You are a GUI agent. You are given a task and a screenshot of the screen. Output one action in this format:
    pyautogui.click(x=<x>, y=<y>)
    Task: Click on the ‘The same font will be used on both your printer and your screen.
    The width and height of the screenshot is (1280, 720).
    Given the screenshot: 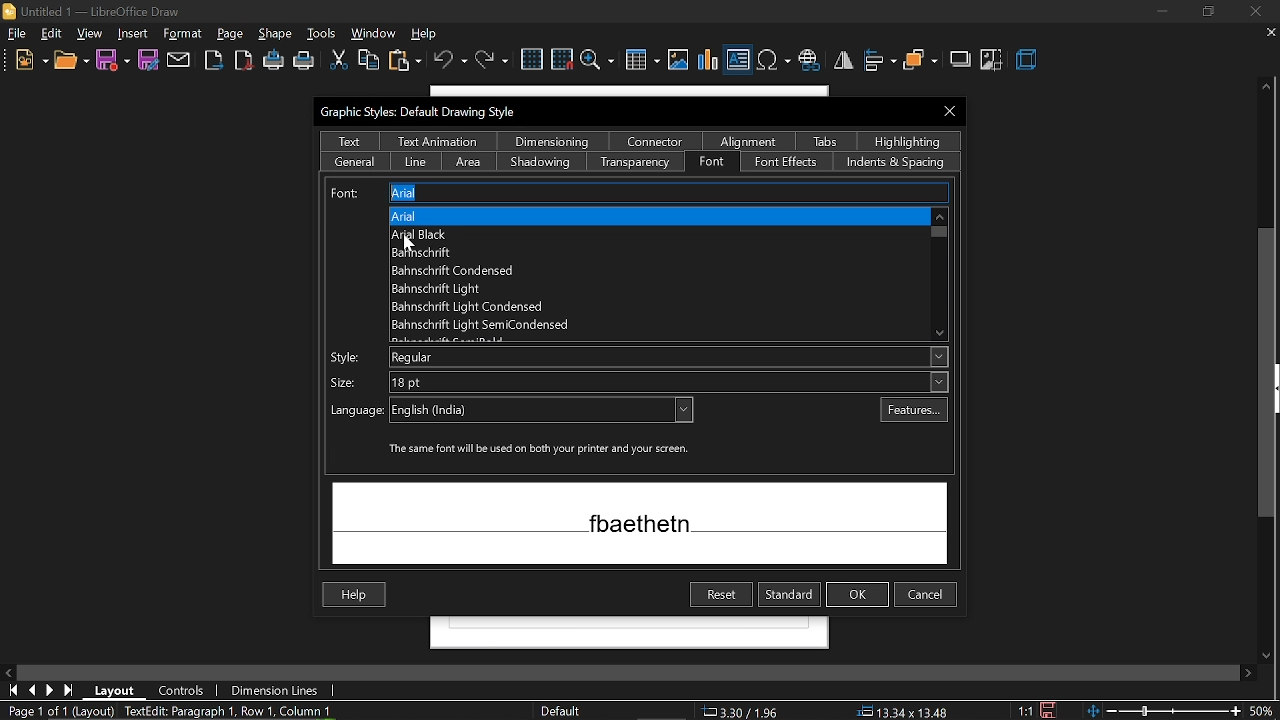 What is the action you would take?
    pyautogui.click(x=543, y=450)
    